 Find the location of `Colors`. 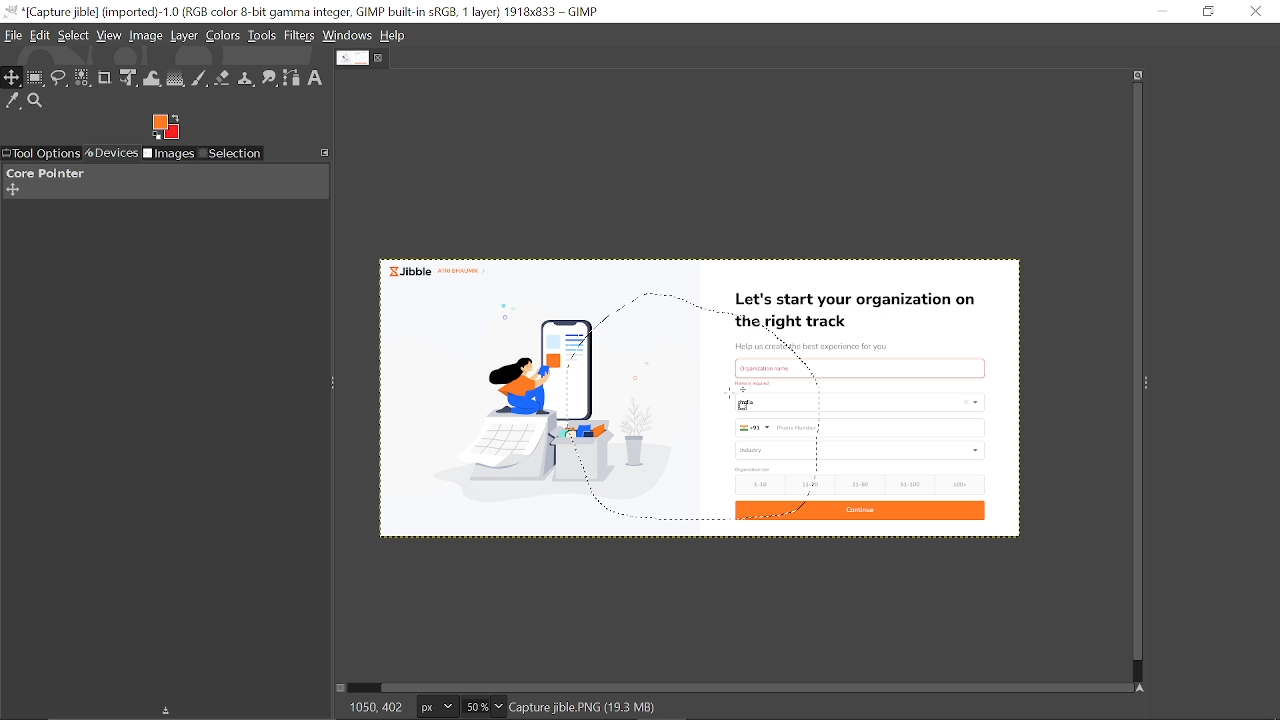

Colors is located at coordinates (223, 37).